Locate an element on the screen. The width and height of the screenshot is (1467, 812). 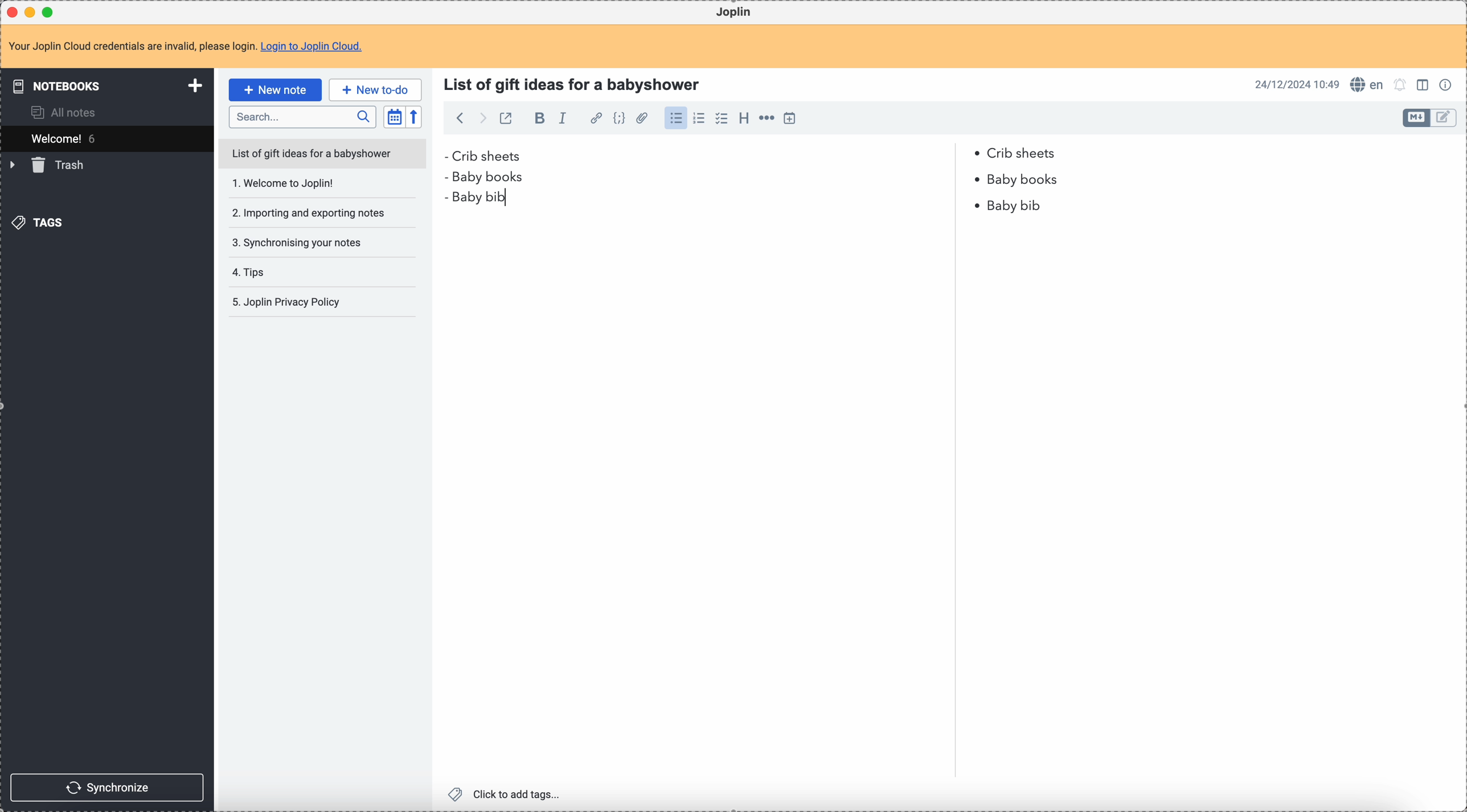
foward is located at coordinates (483, 118).